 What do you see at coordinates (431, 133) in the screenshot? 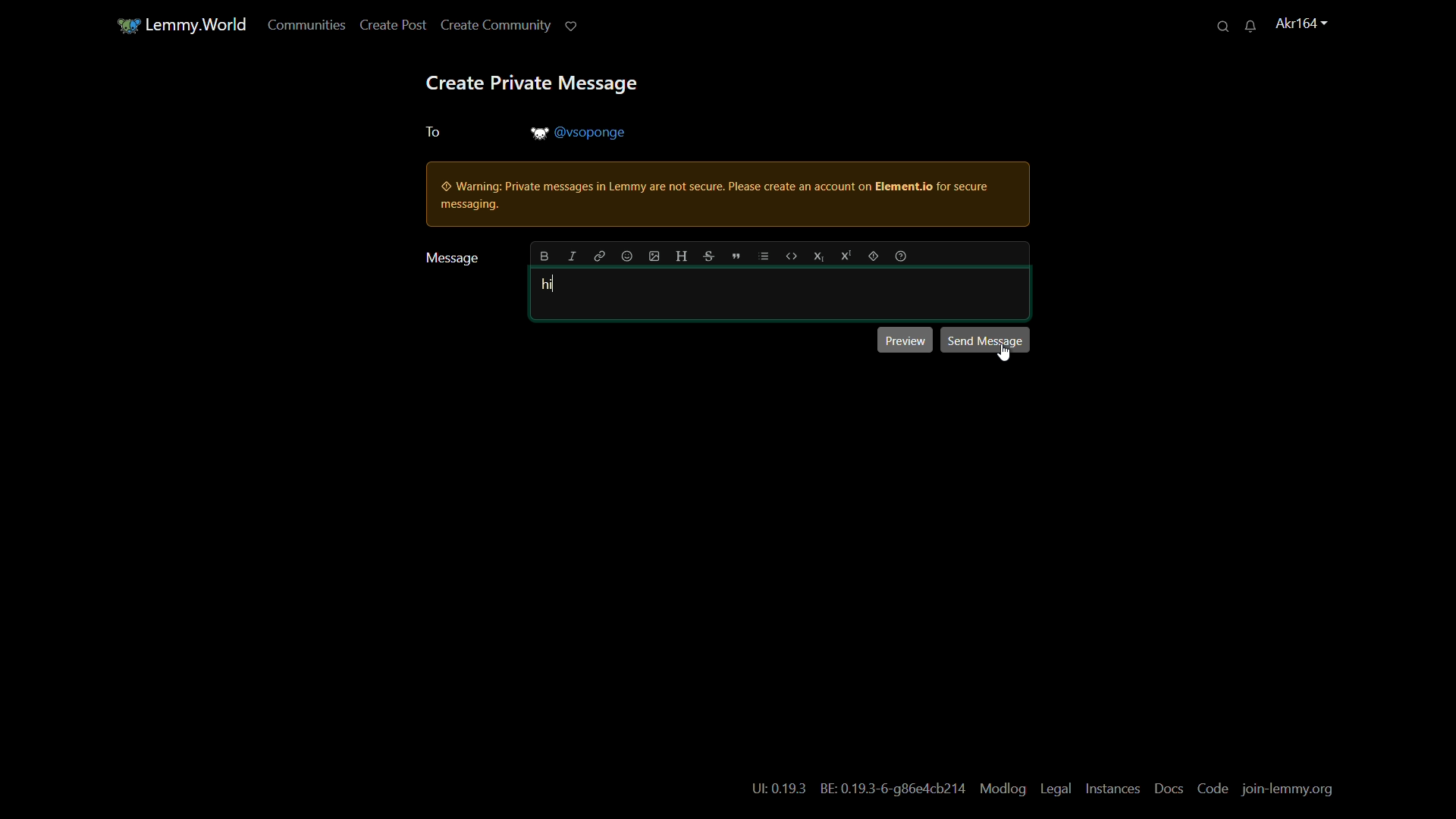
I see `to` at bounding box center [431, 133].